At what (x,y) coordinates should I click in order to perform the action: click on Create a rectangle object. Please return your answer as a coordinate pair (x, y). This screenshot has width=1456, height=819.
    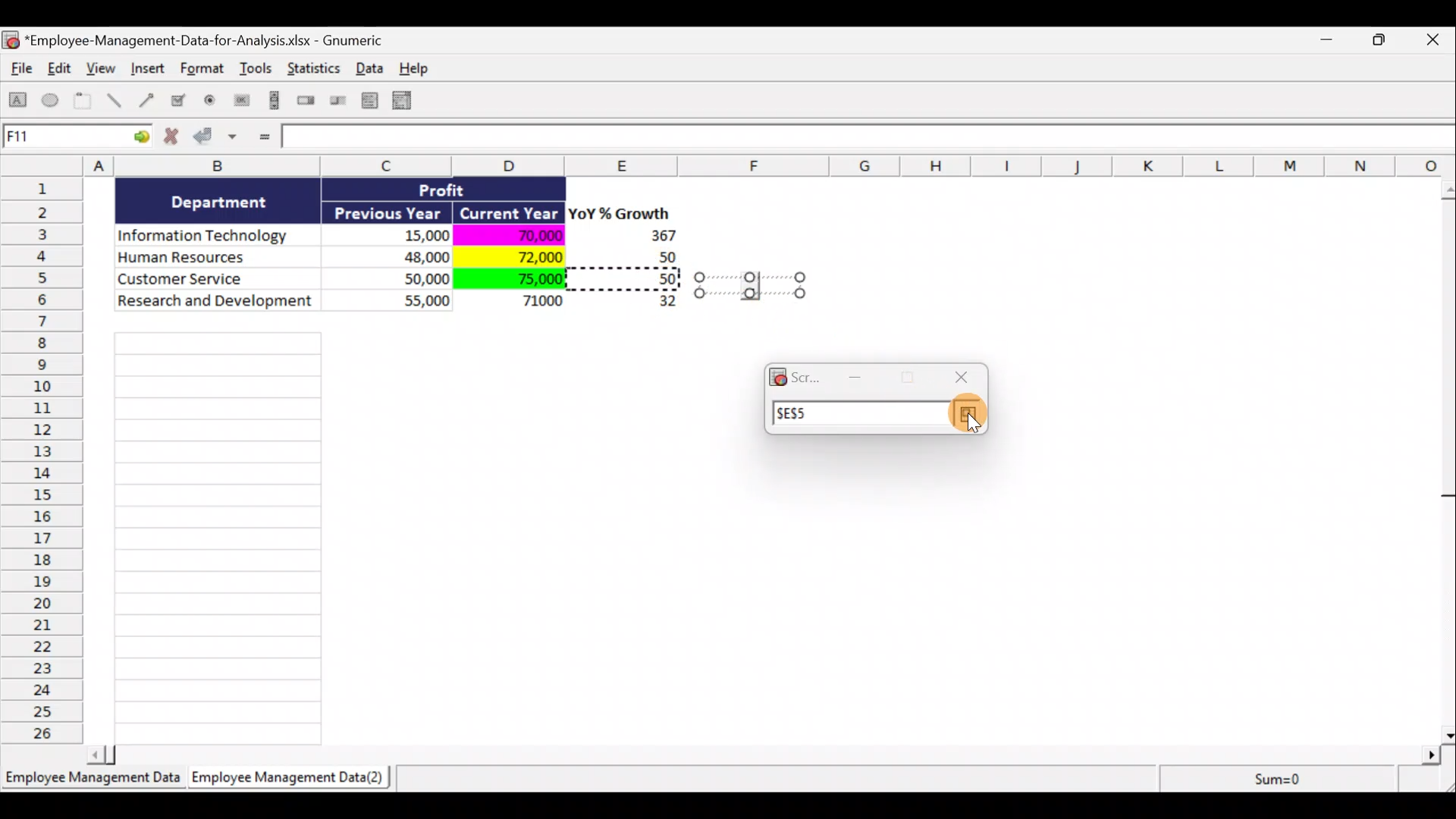
    Looking at the image, I should click on (18, 102).